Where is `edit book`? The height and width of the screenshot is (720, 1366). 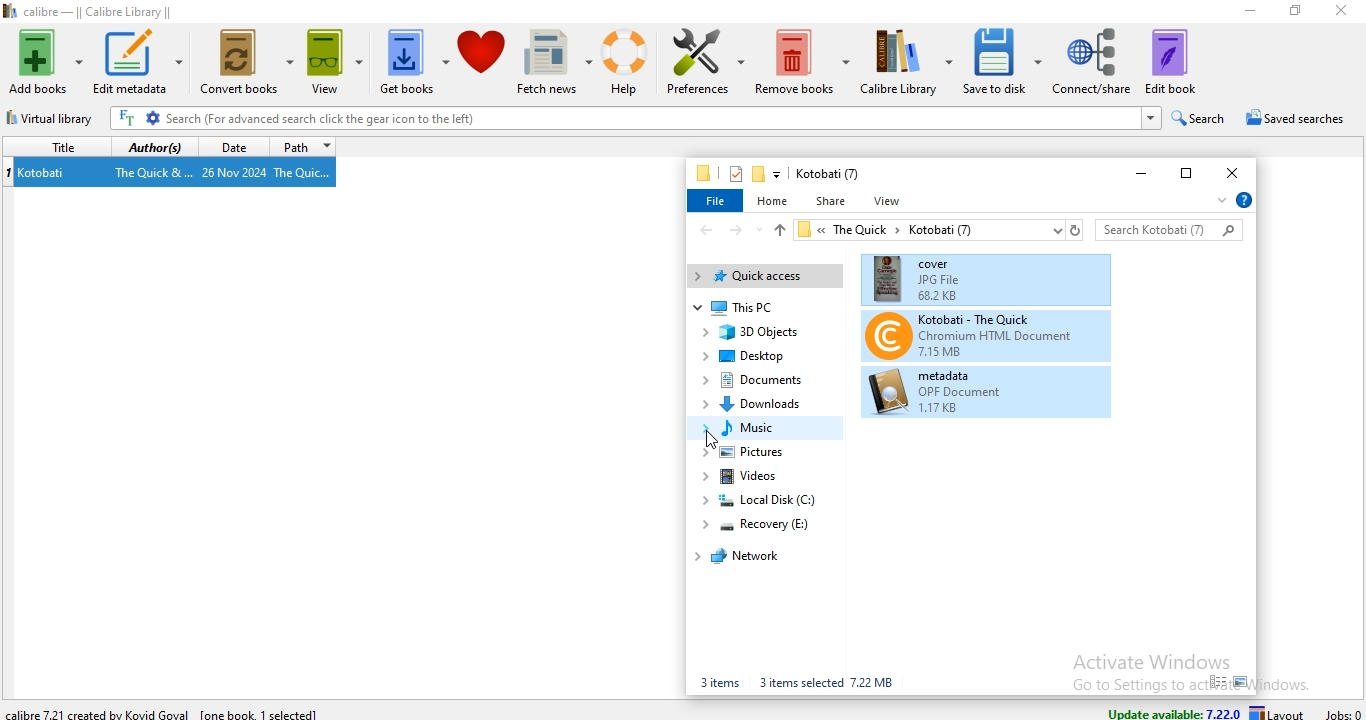
edit book is located at coordinates (1171, 61).